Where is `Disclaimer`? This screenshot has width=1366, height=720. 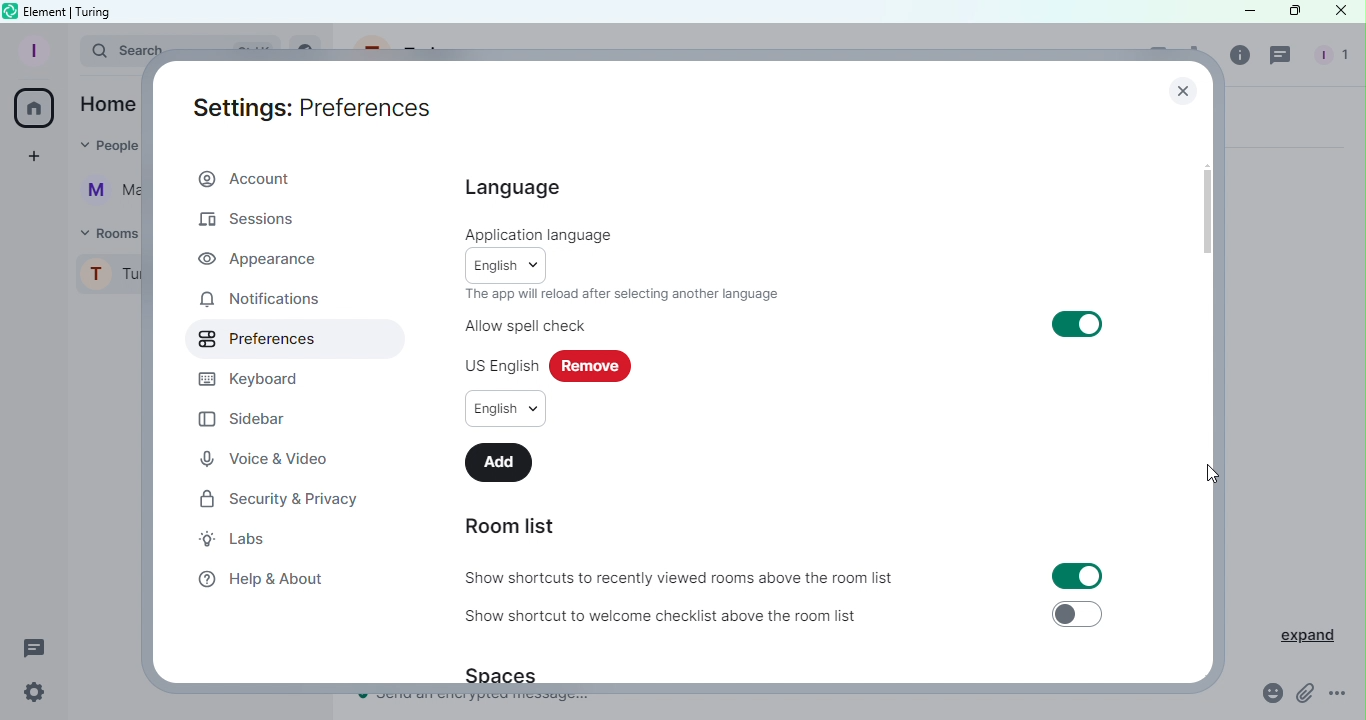
Disclaimer is located at coordinates (620, 292).